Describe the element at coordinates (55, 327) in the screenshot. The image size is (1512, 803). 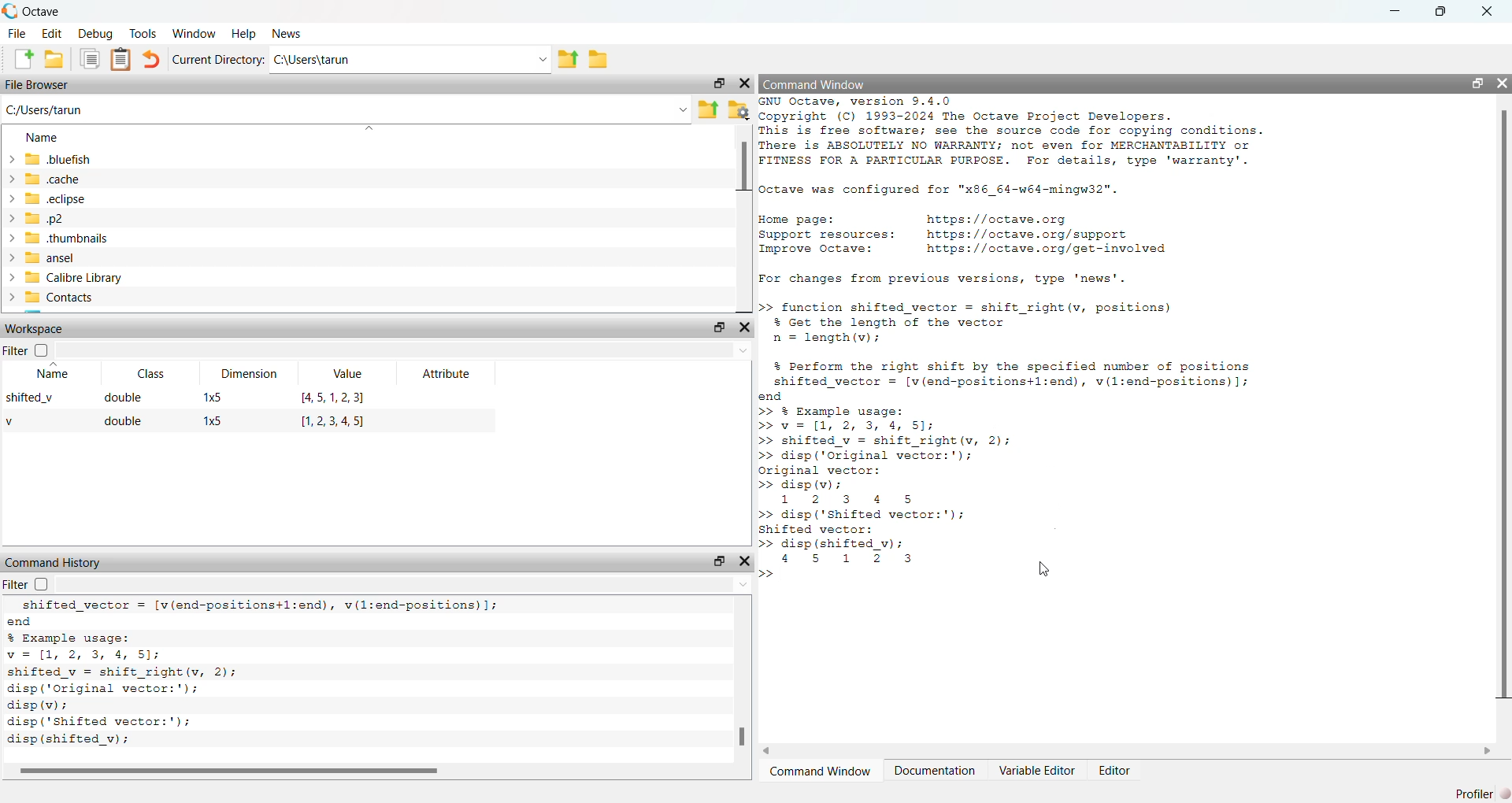
I see `workspace` at that location.